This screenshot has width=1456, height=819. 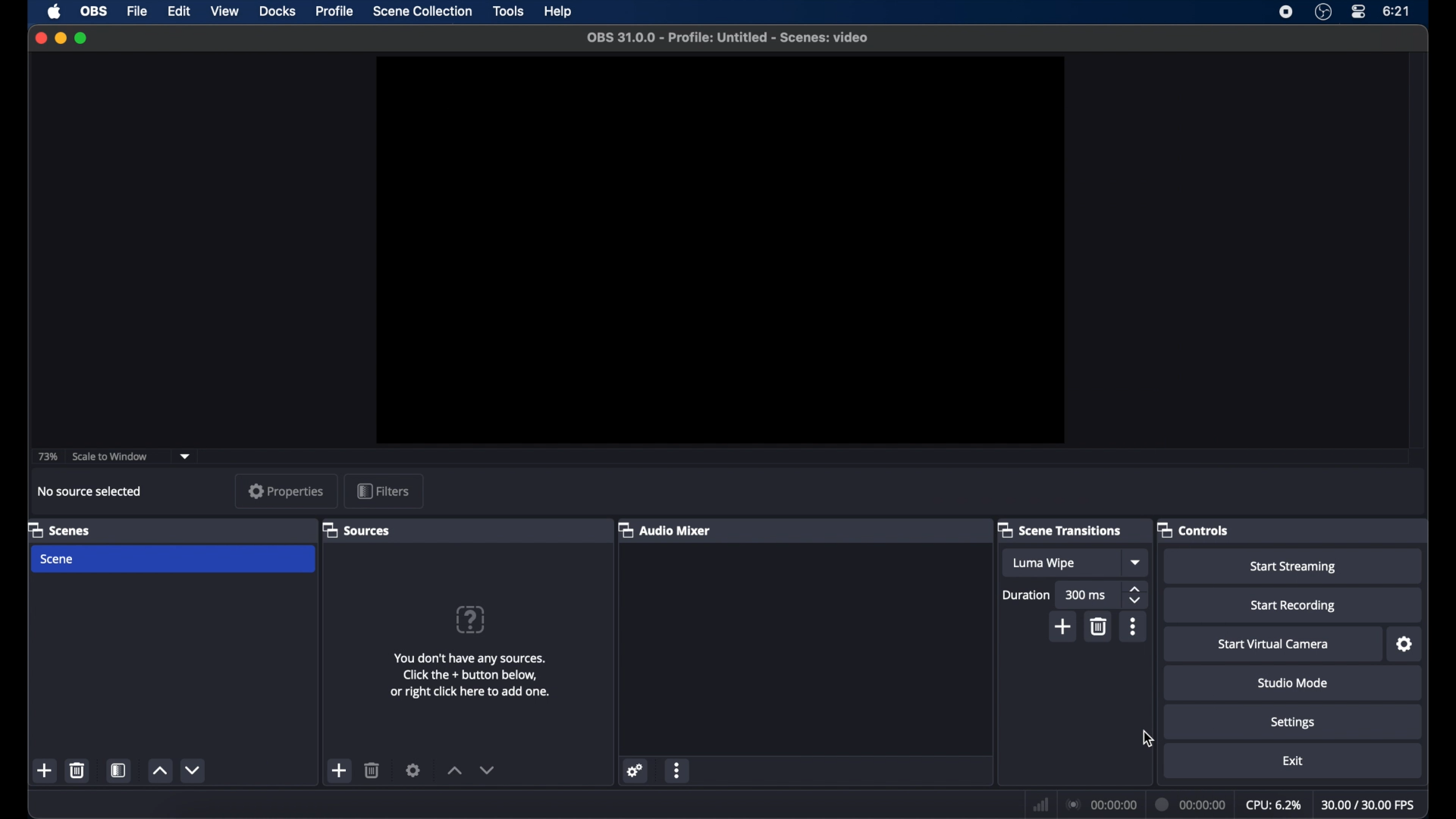 I want to click on , so click(x=422, y=12).